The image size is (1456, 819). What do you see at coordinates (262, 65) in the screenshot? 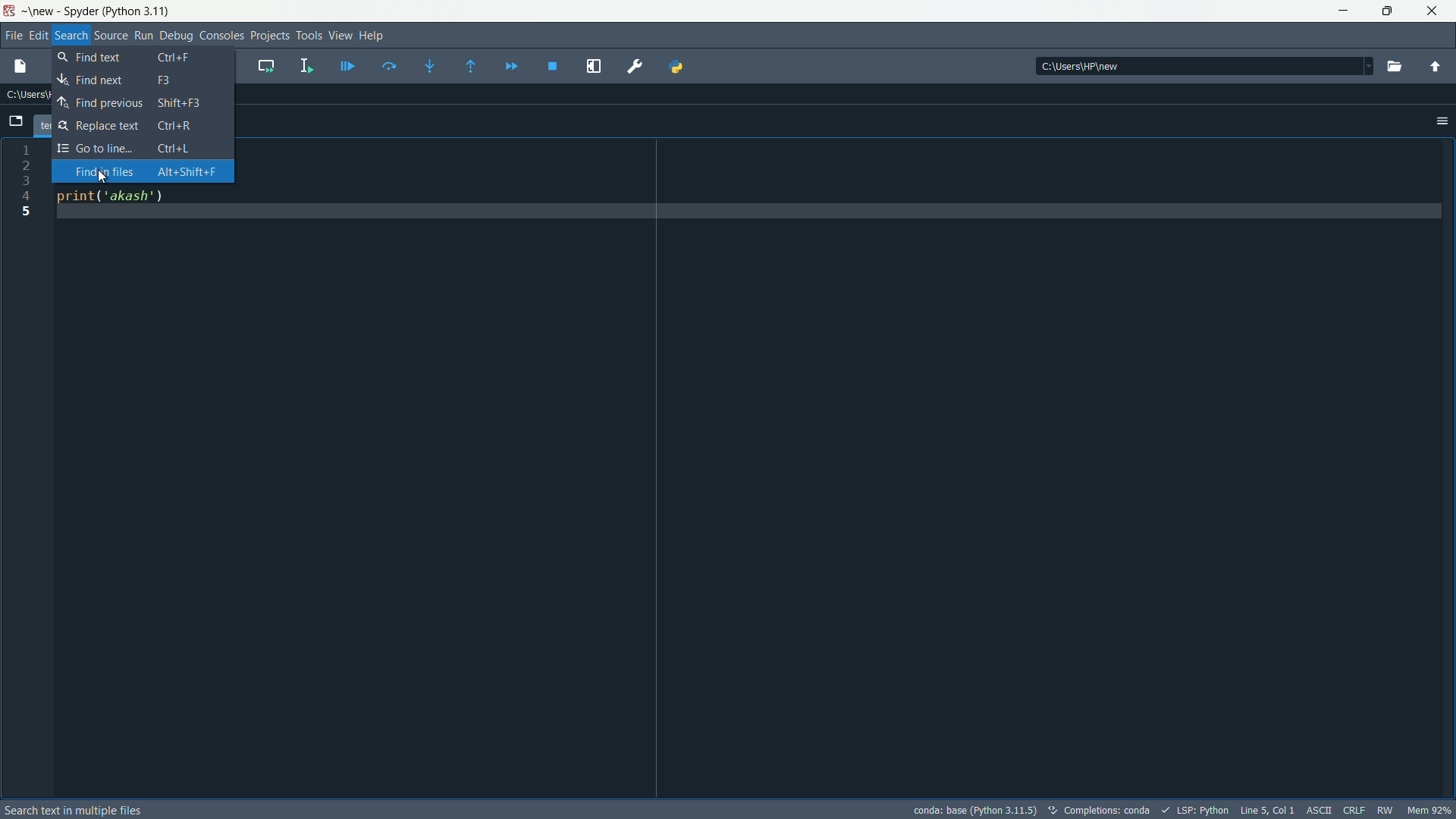
I see `run current cell and go to the next one` at bounding box center [262, 65].